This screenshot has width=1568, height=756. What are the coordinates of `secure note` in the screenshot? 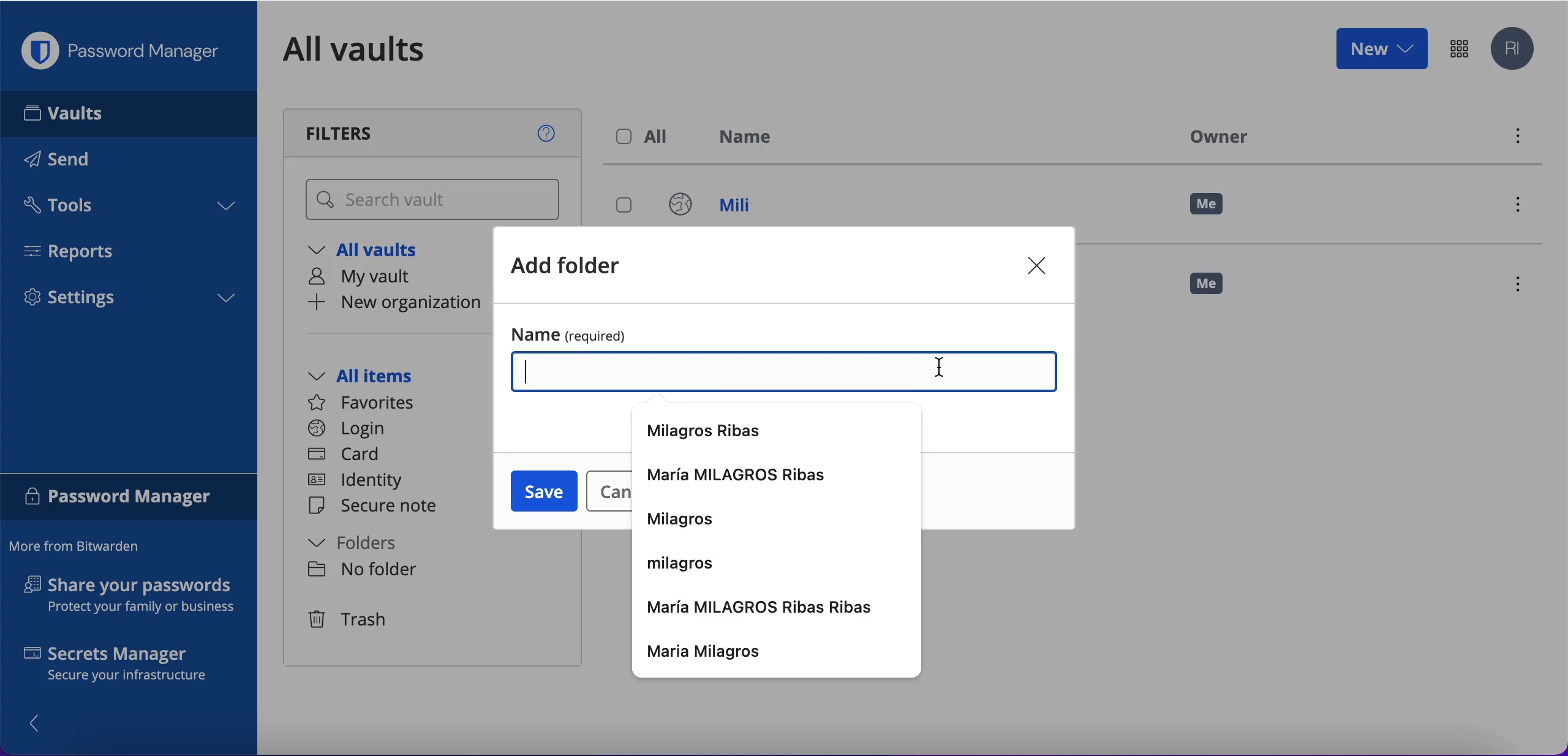 It's located at (379, 507).